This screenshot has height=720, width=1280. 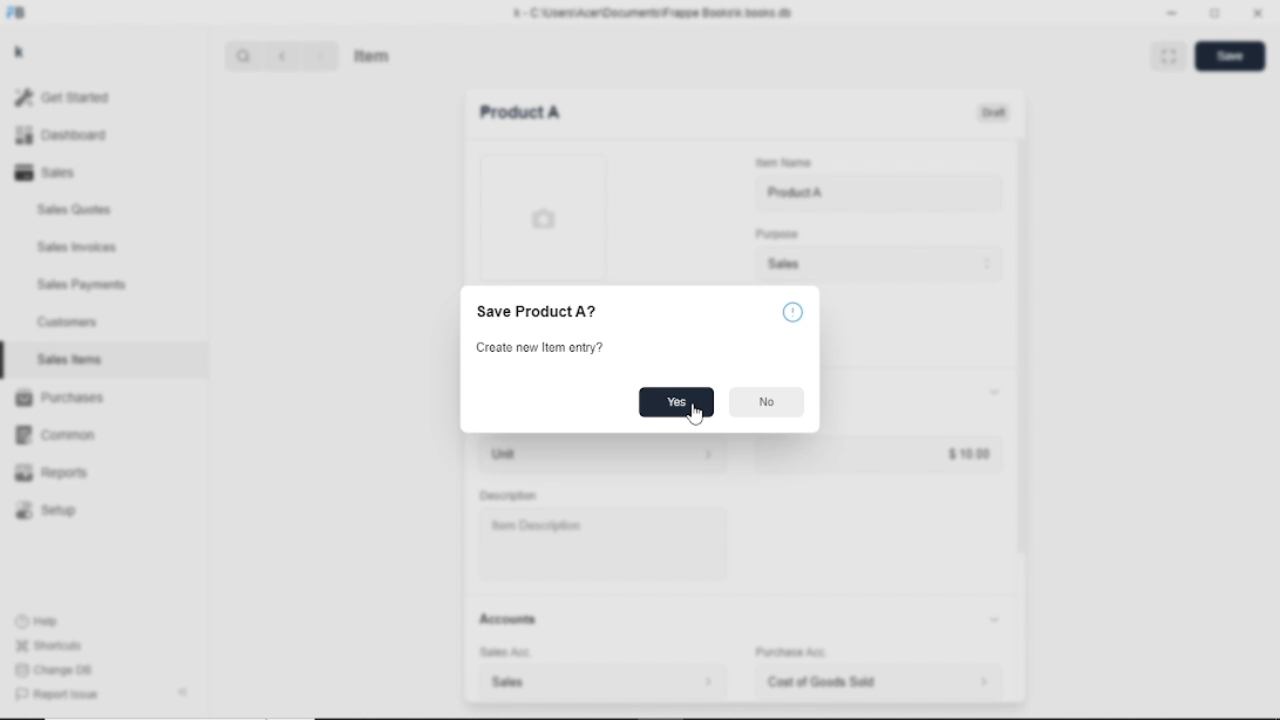 I want to click on Create New Item entry?, so click(x=542, y=347).